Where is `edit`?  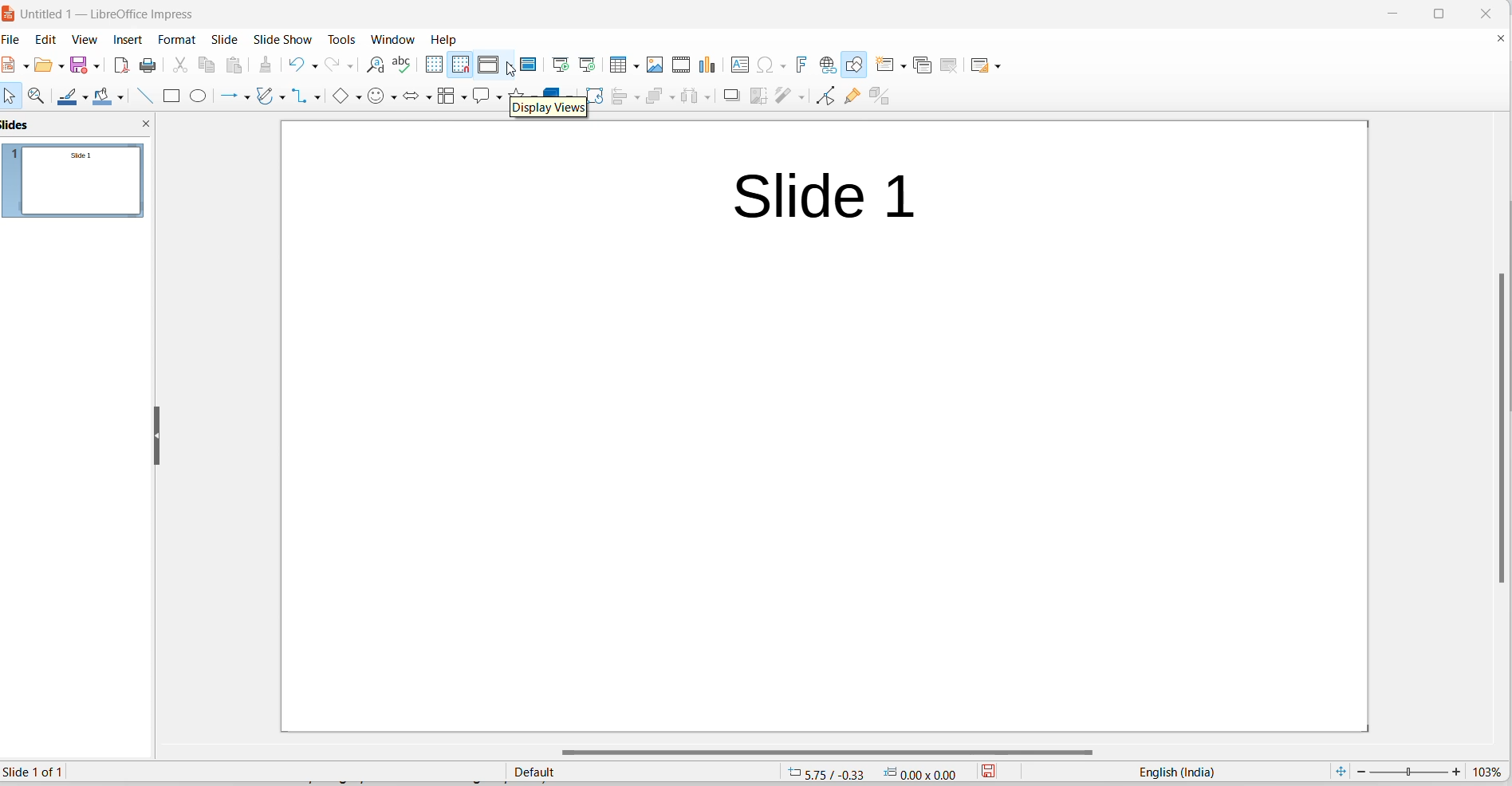 edit is located at coordinates (49, 39).